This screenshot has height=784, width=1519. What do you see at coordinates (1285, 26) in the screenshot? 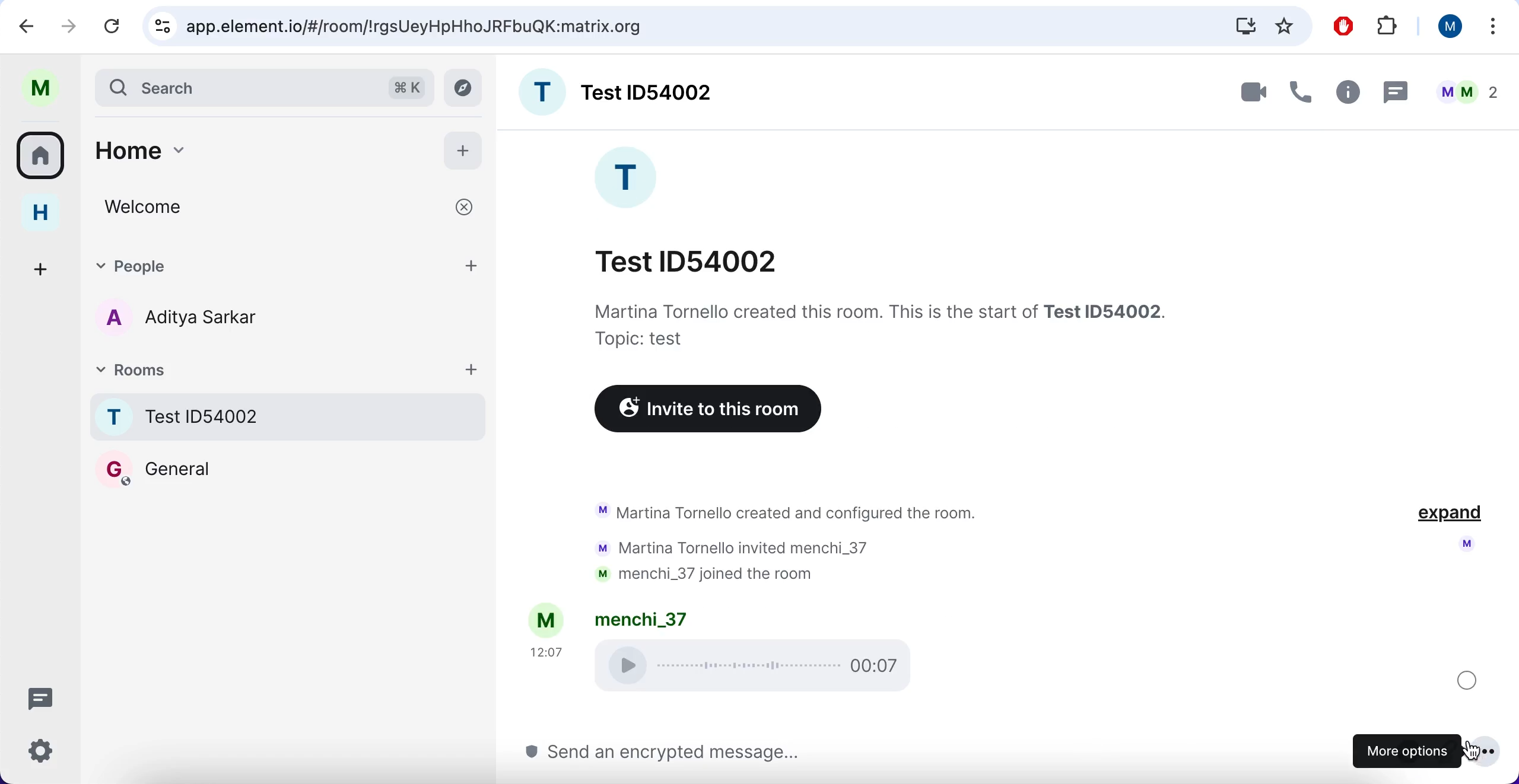
I see `favorites` at bounding box center [1285, 26].